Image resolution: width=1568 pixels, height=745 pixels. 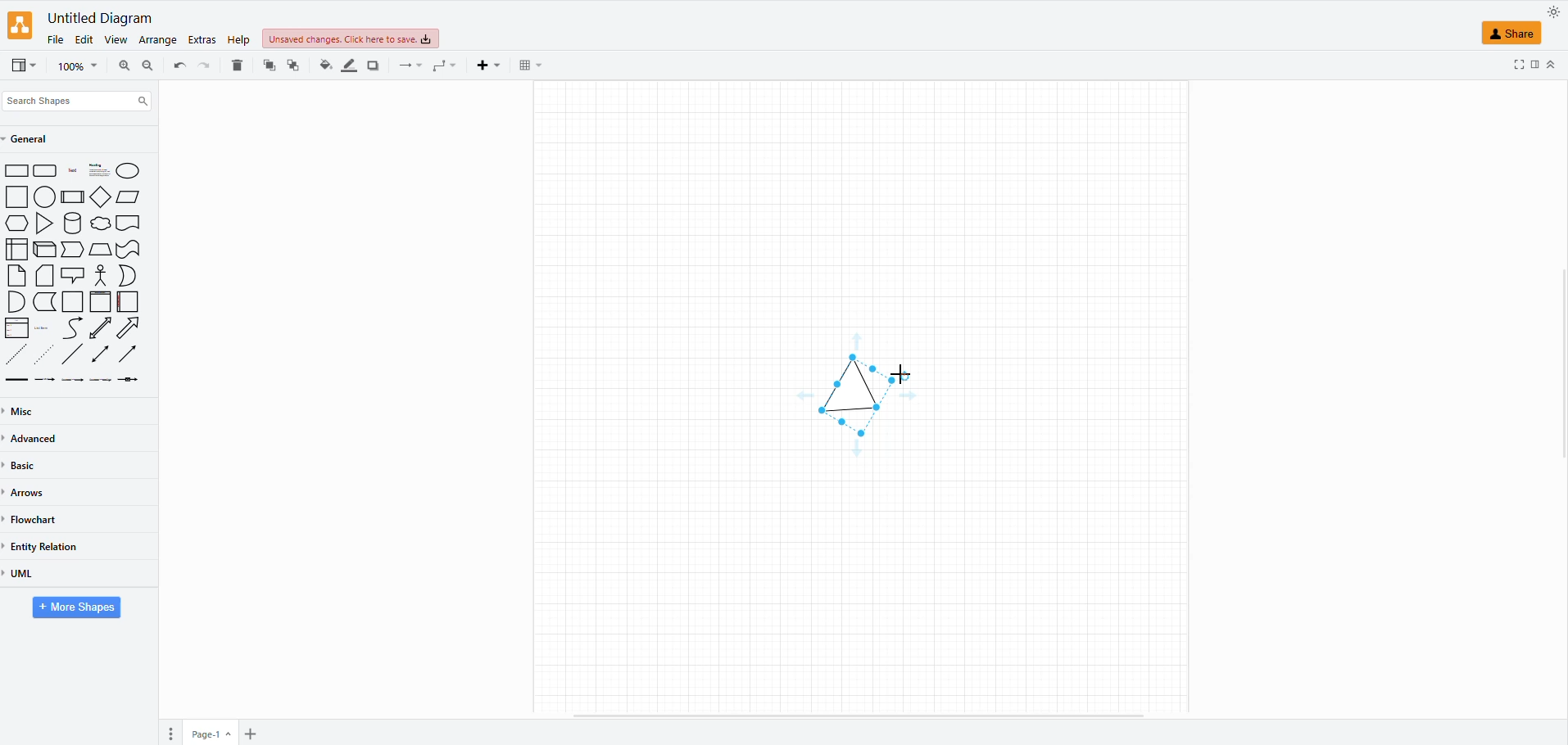 What do you see at coordinates (78, 609) in the screenshot?
I see `more shapes` at bounding box center [78, 609].